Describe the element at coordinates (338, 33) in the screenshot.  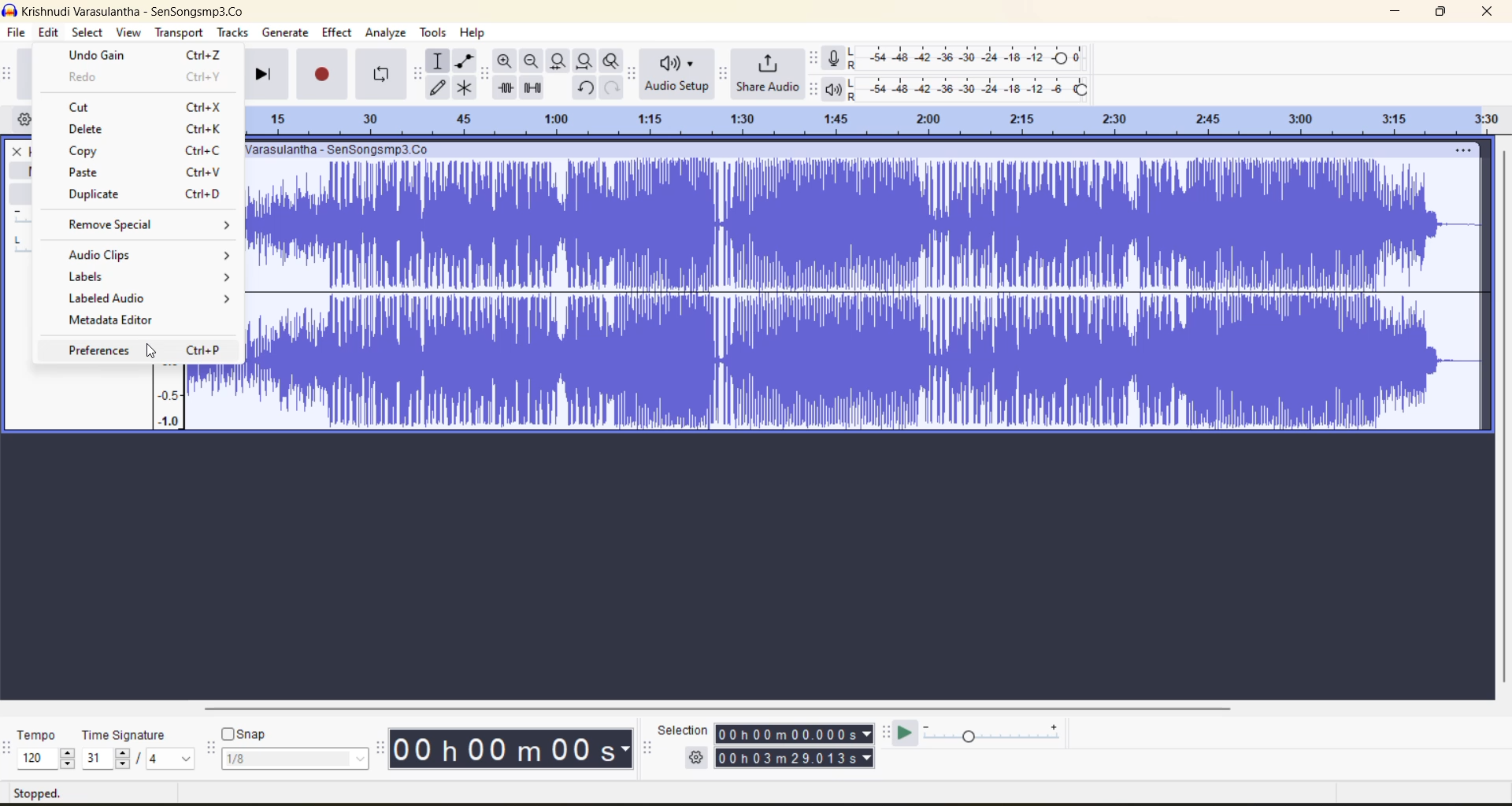
I see `effect` at that location.